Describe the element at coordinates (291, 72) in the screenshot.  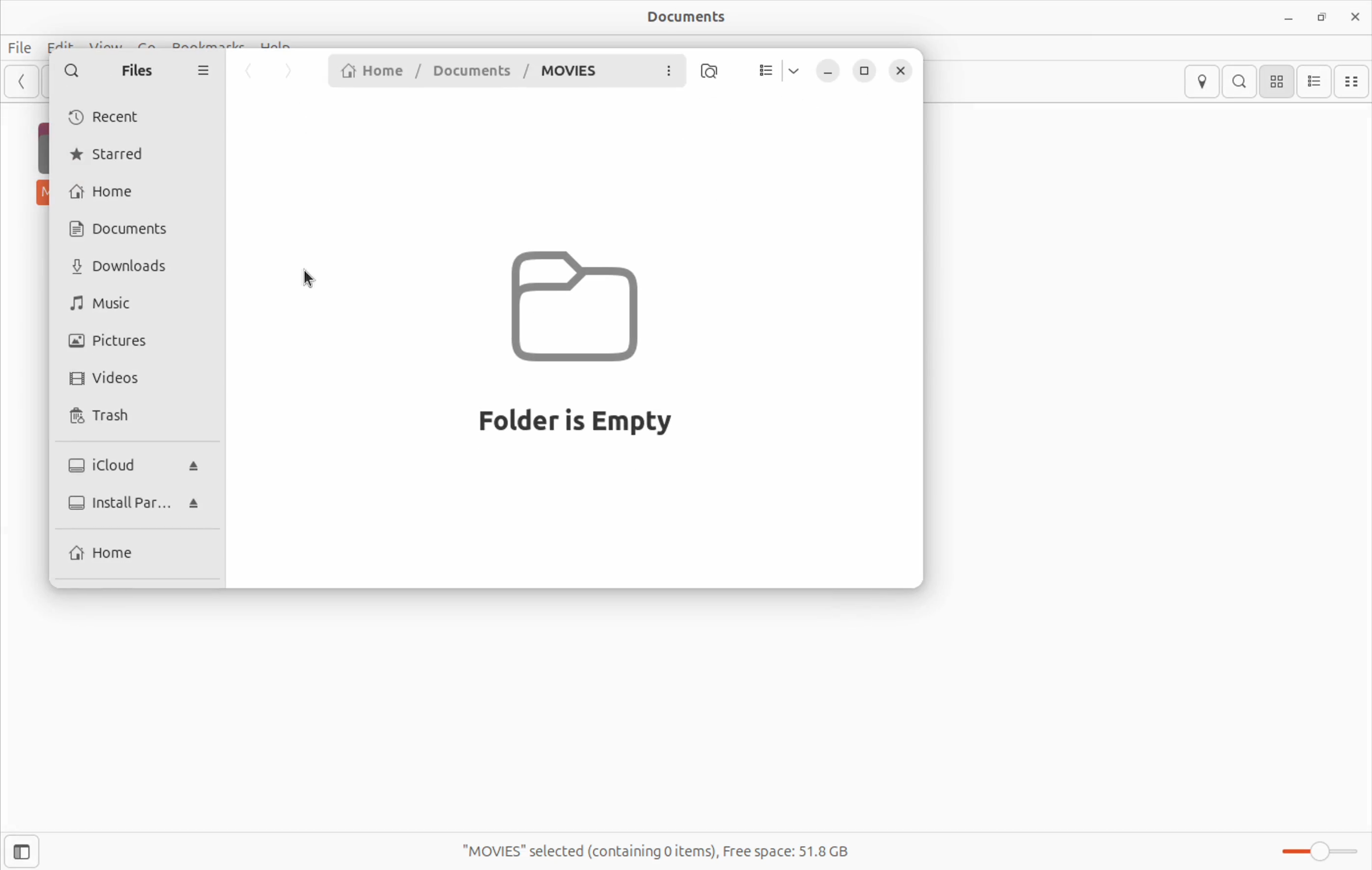
I see `Next` at that location.